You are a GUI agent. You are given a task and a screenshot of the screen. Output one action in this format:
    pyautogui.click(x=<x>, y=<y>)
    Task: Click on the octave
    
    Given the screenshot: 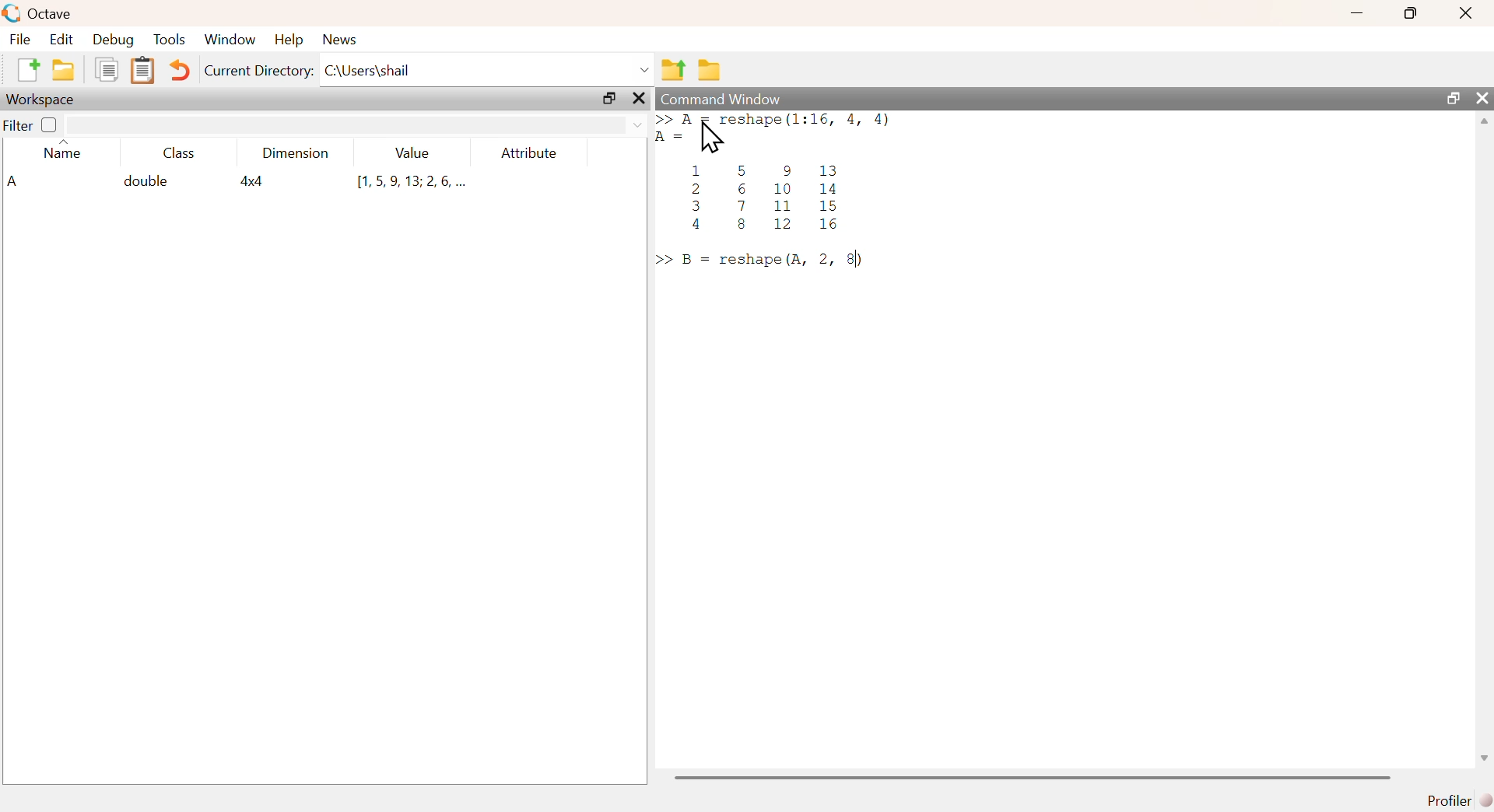 What is the action you would take?
    pyautogui.click(x=39, y=12)
    